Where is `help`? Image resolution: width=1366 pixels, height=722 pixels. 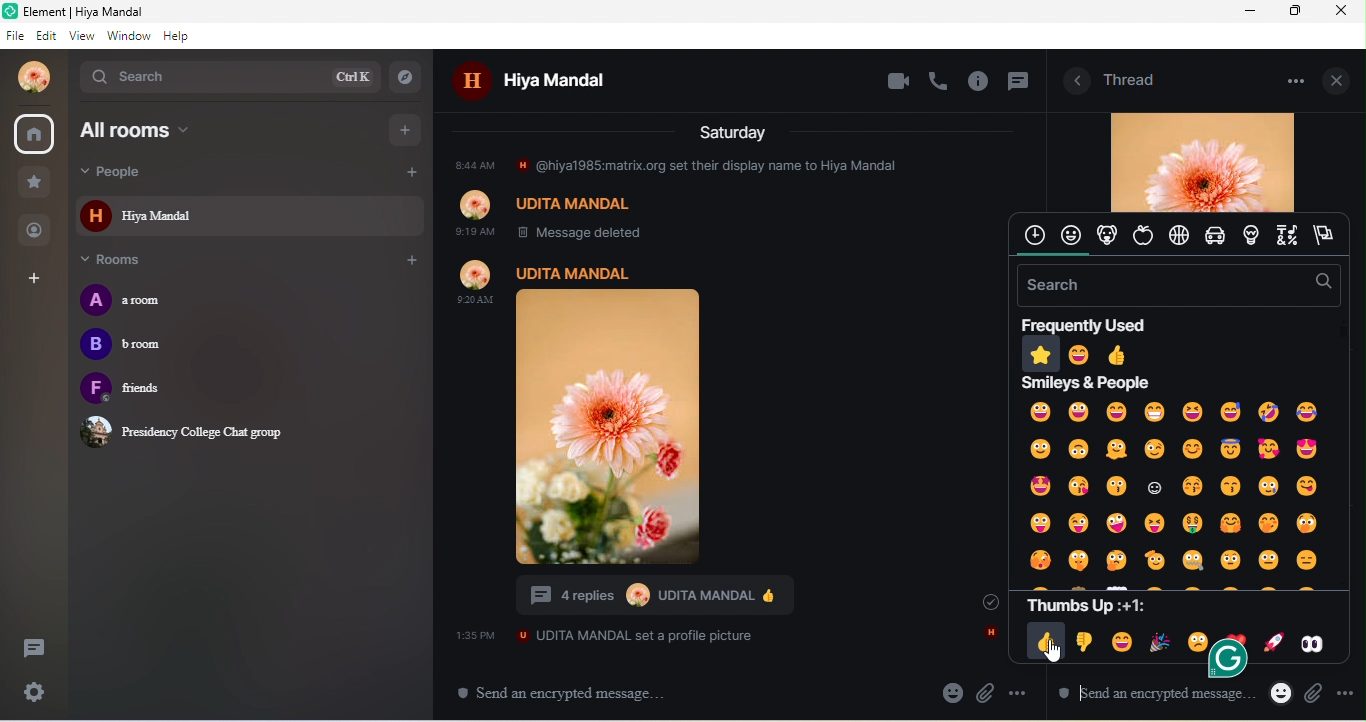
help is located at coordinates (177, 36).